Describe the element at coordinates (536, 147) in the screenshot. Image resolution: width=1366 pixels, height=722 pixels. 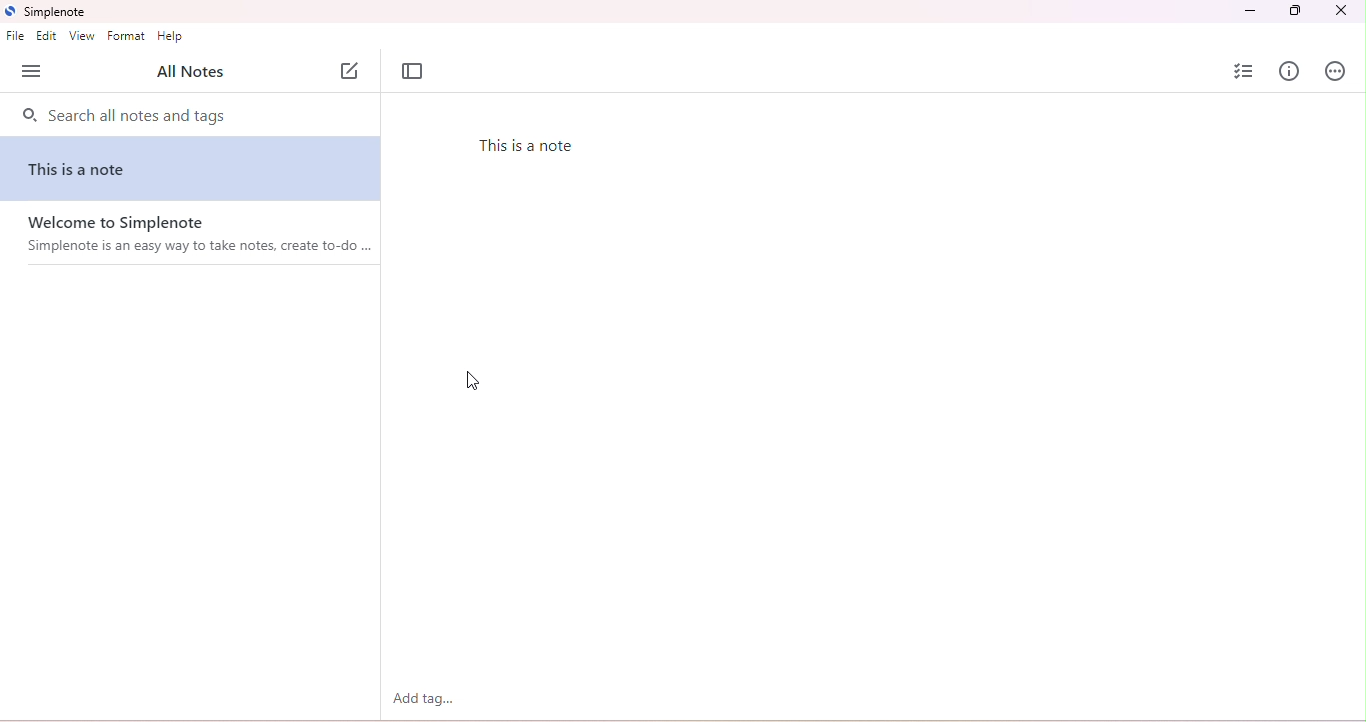
I see `this is a note` at that location.